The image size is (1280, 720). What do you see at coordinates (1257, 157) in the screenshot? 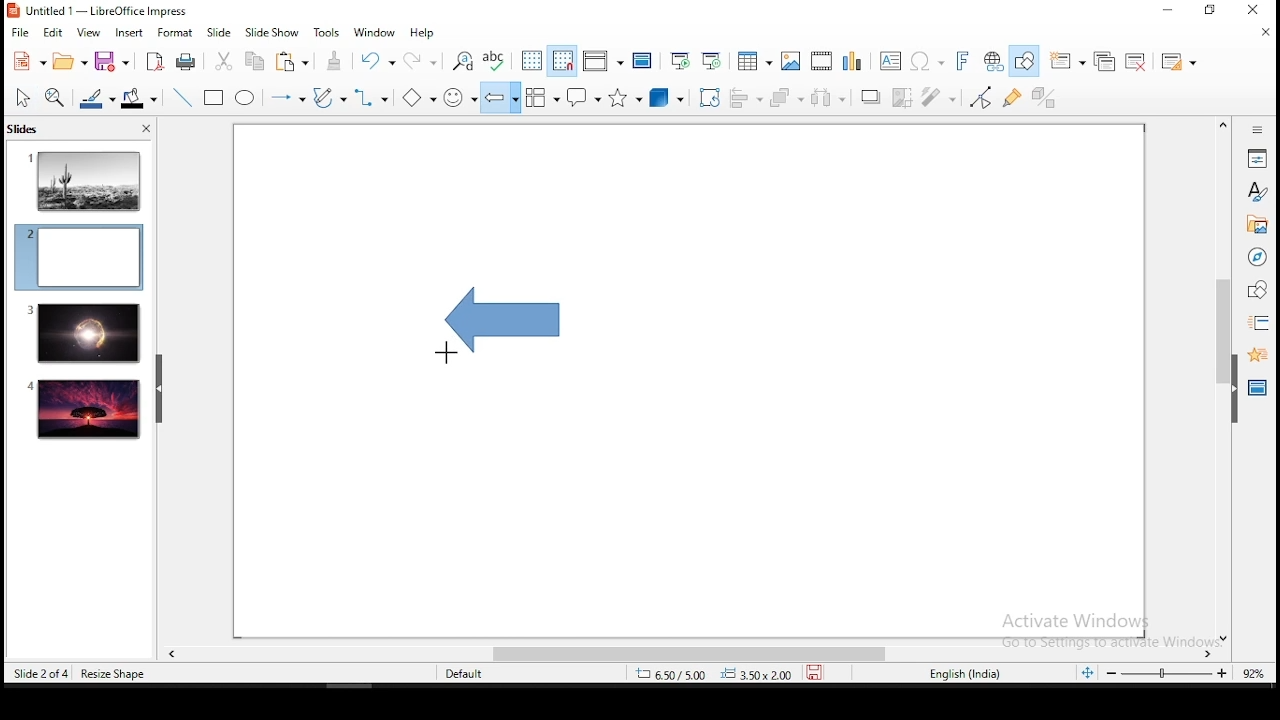
I see `properties` at bounding box center [1257, 157].